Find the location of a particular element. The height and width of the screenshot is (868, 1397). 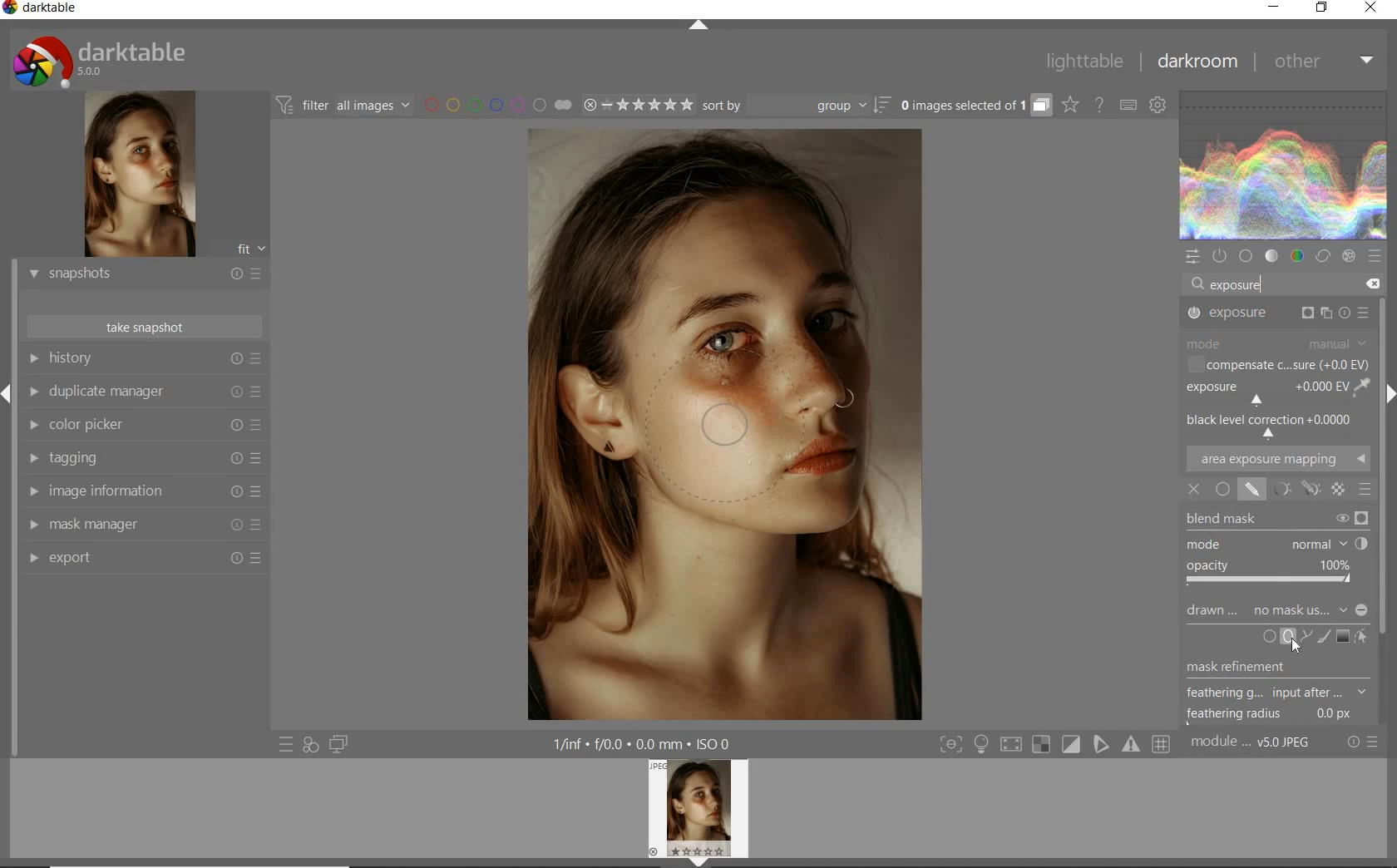

restore is located at coordinates (1322, 11).